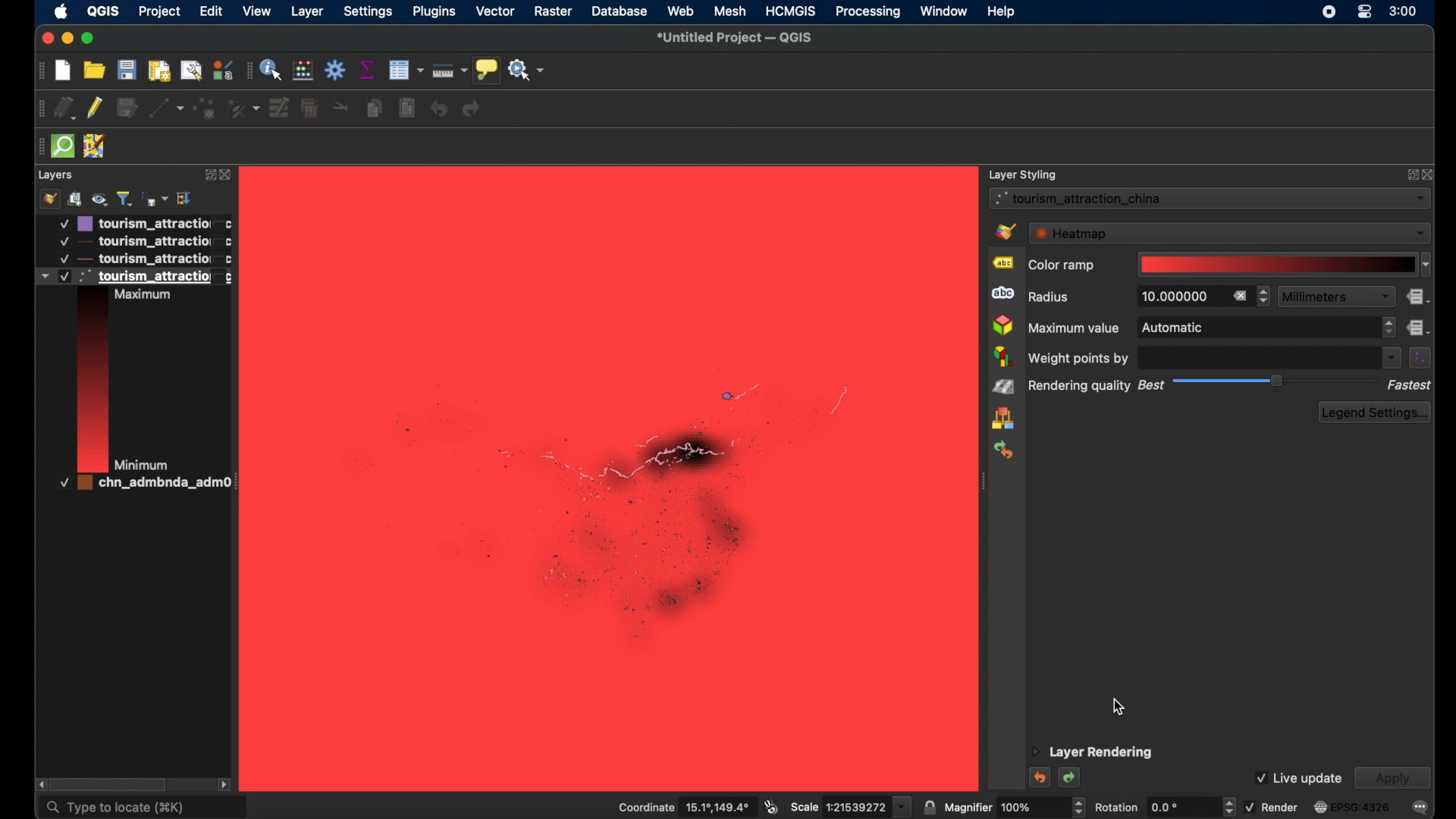 Image resolution: width=1456 pixels, height=819 pixels. I want to click on HCMGIS, so click(791, 11).